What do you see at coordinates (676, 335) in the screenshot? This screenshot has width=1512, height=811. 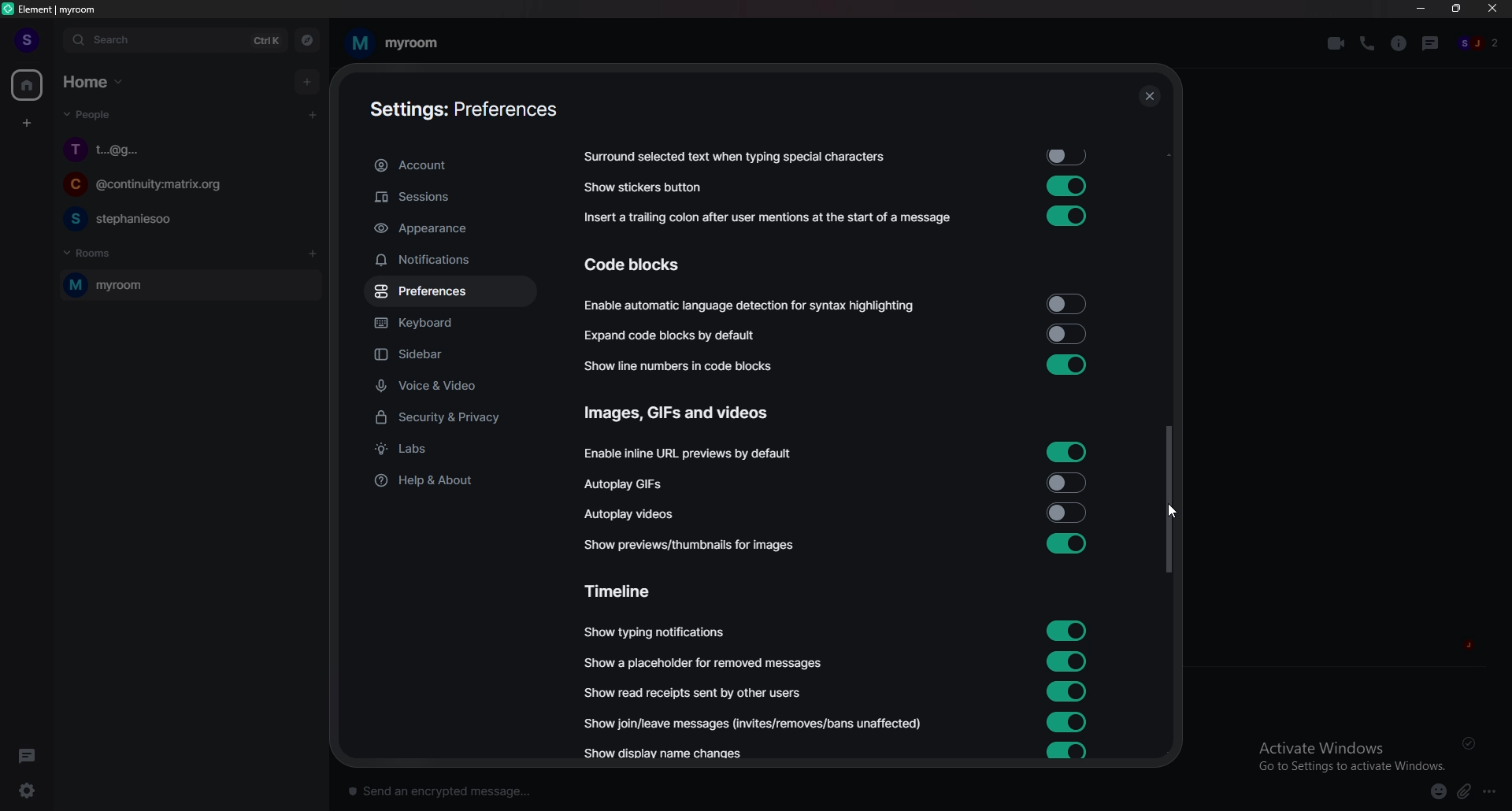 I see `expand code blocks` at bounding box center [676, 335].